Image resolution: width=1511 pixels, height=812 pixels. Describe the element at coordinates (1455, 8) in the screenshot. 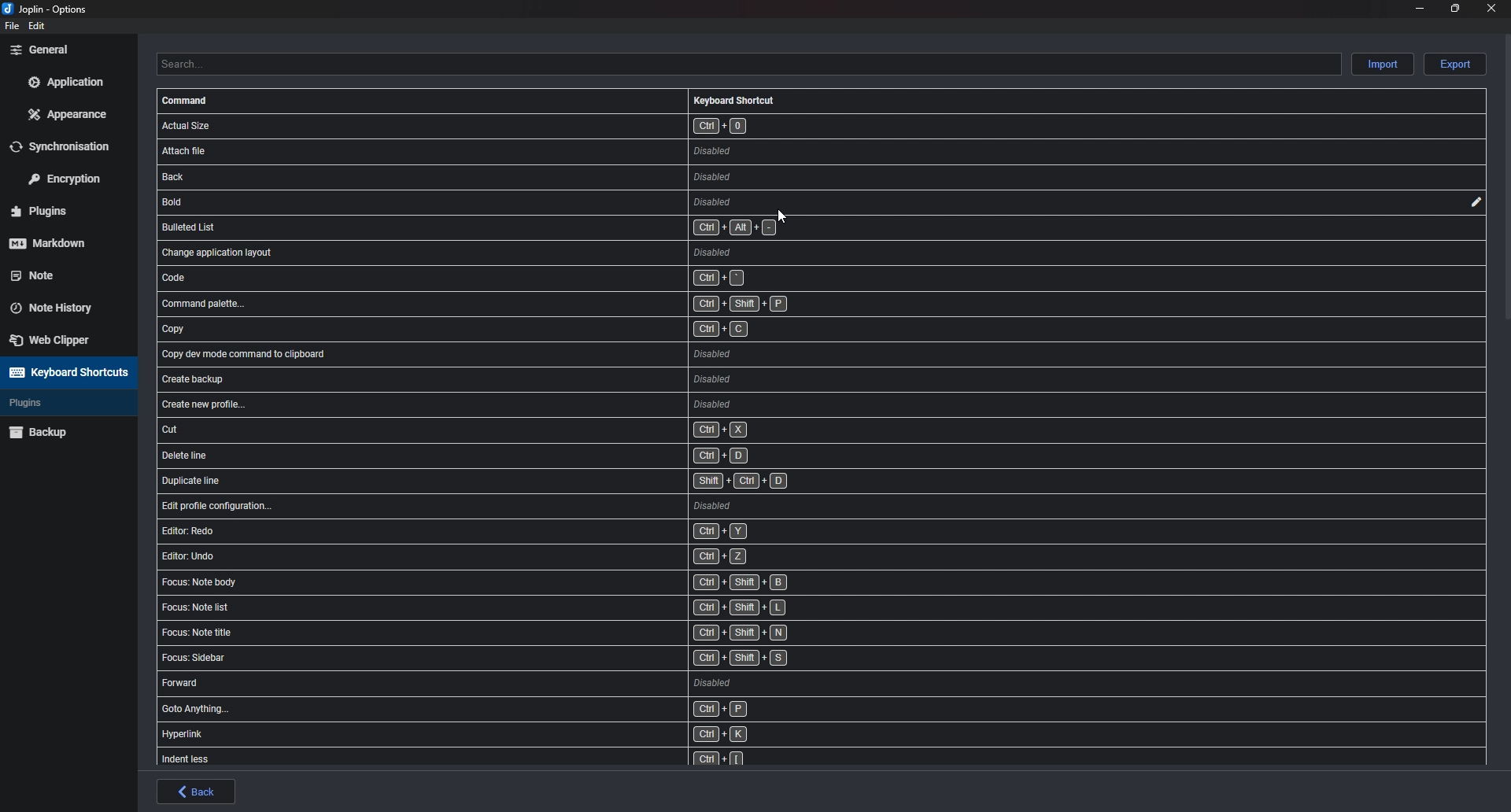

I see `Resize` at that location.